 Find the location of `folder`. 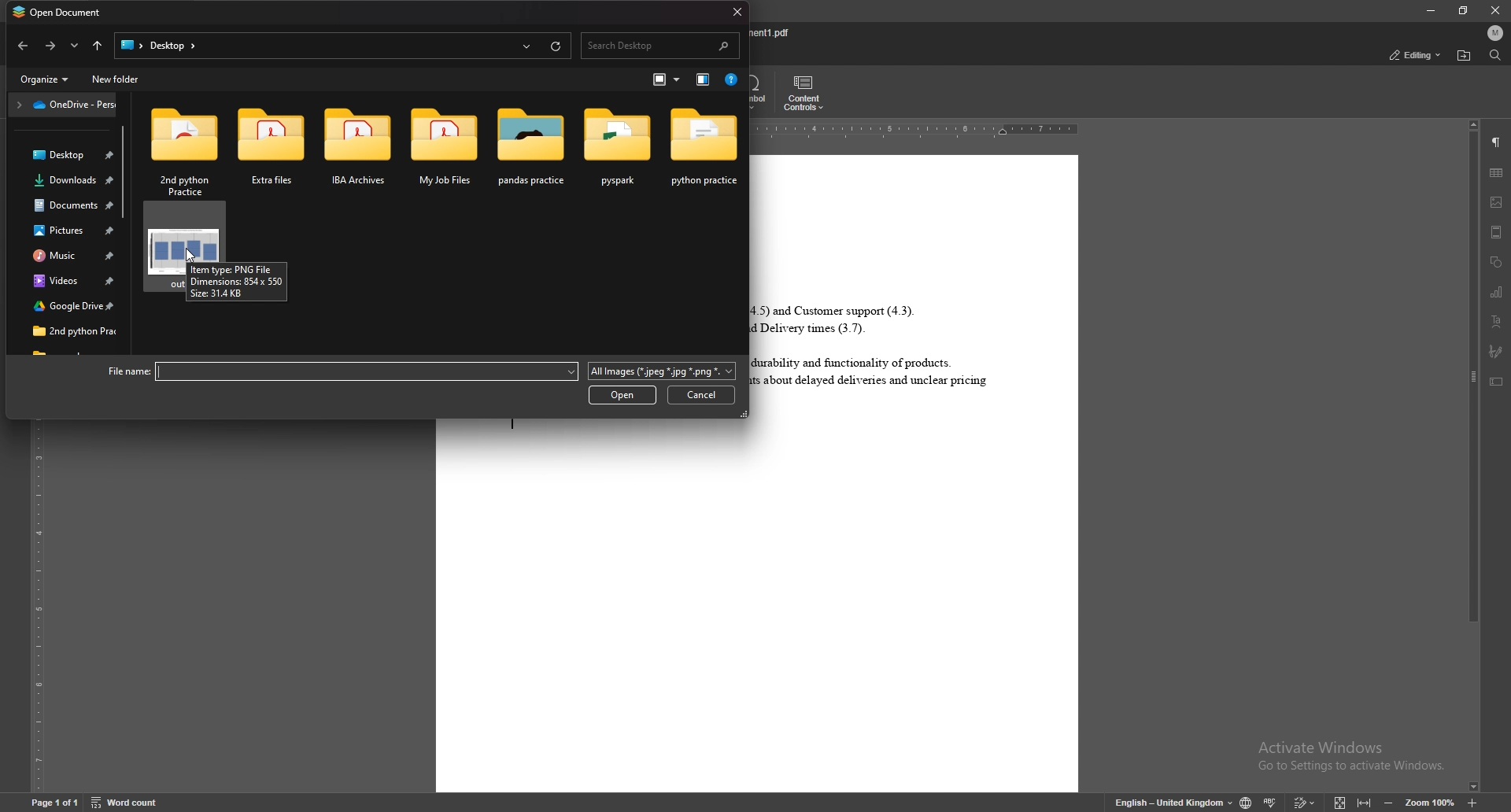

folder is located at coordinates (63, 279).